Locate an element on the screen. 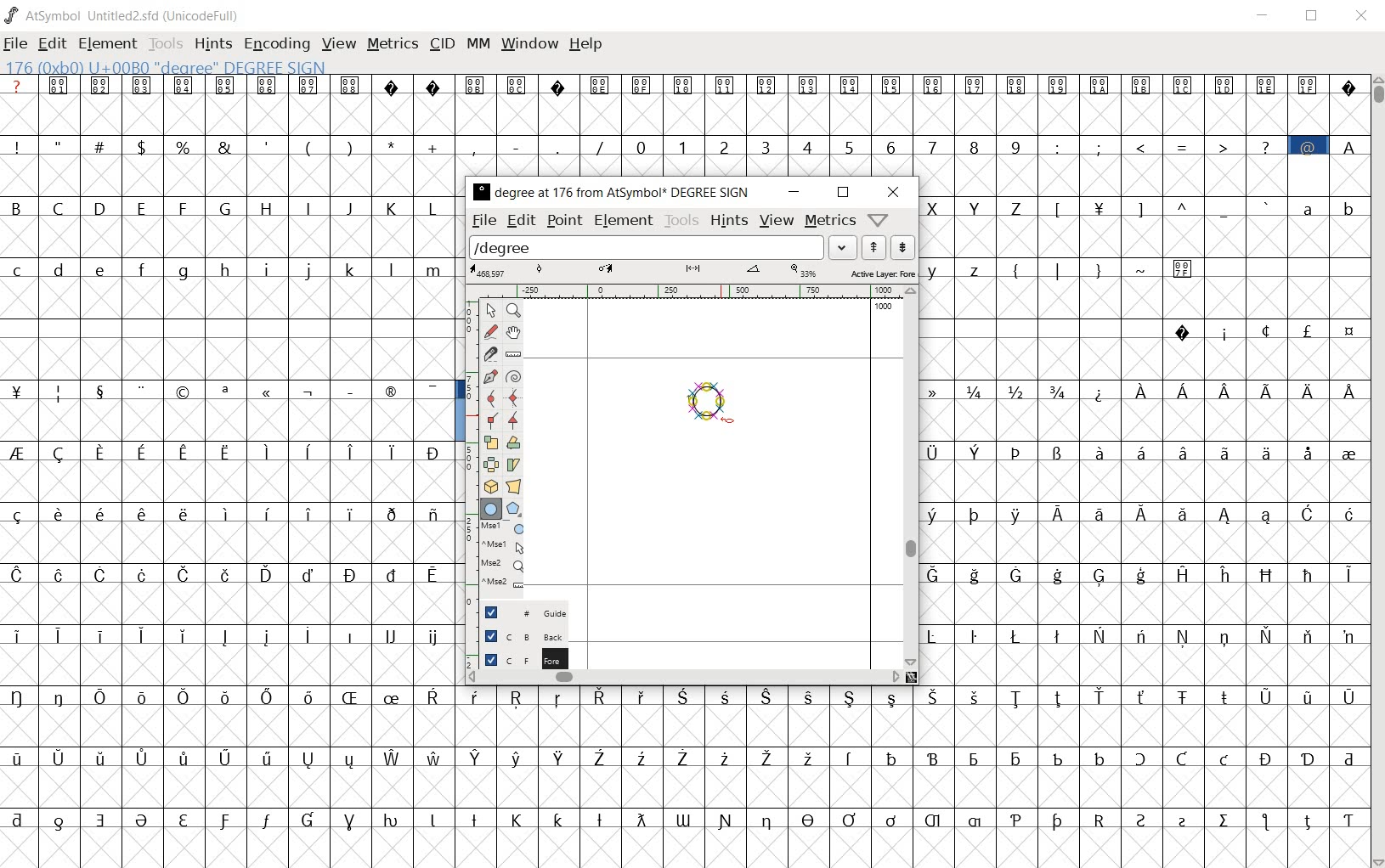  load word list is located at coordinates (662, 246).